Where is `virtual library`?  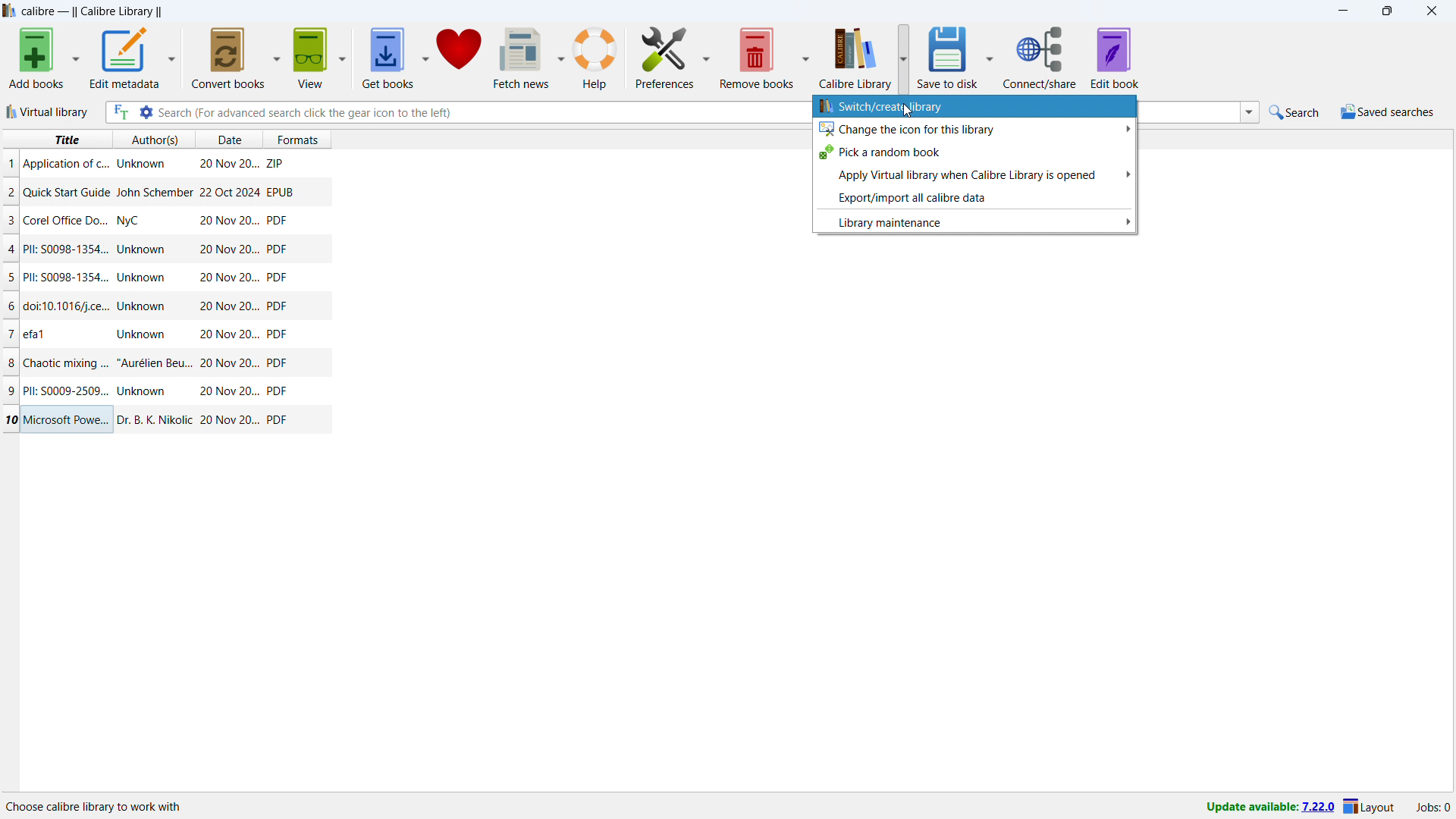
virtual library is located at coordinates (49, 111).